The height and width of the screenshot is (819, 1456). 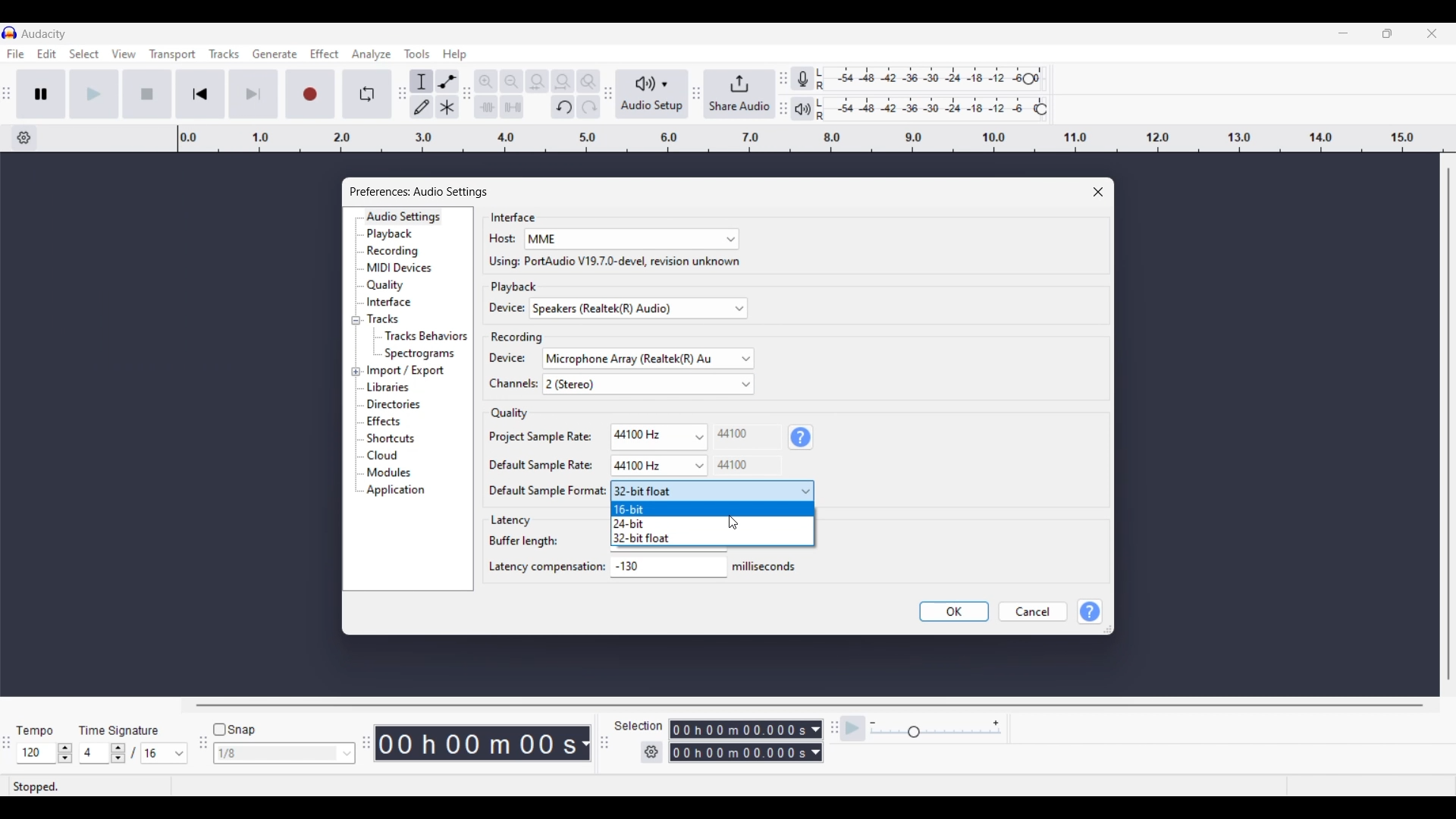 What do you see at coordinates (712, 538) in the screenshot?
I see `32 bit float` at bounding box center [712, 538].